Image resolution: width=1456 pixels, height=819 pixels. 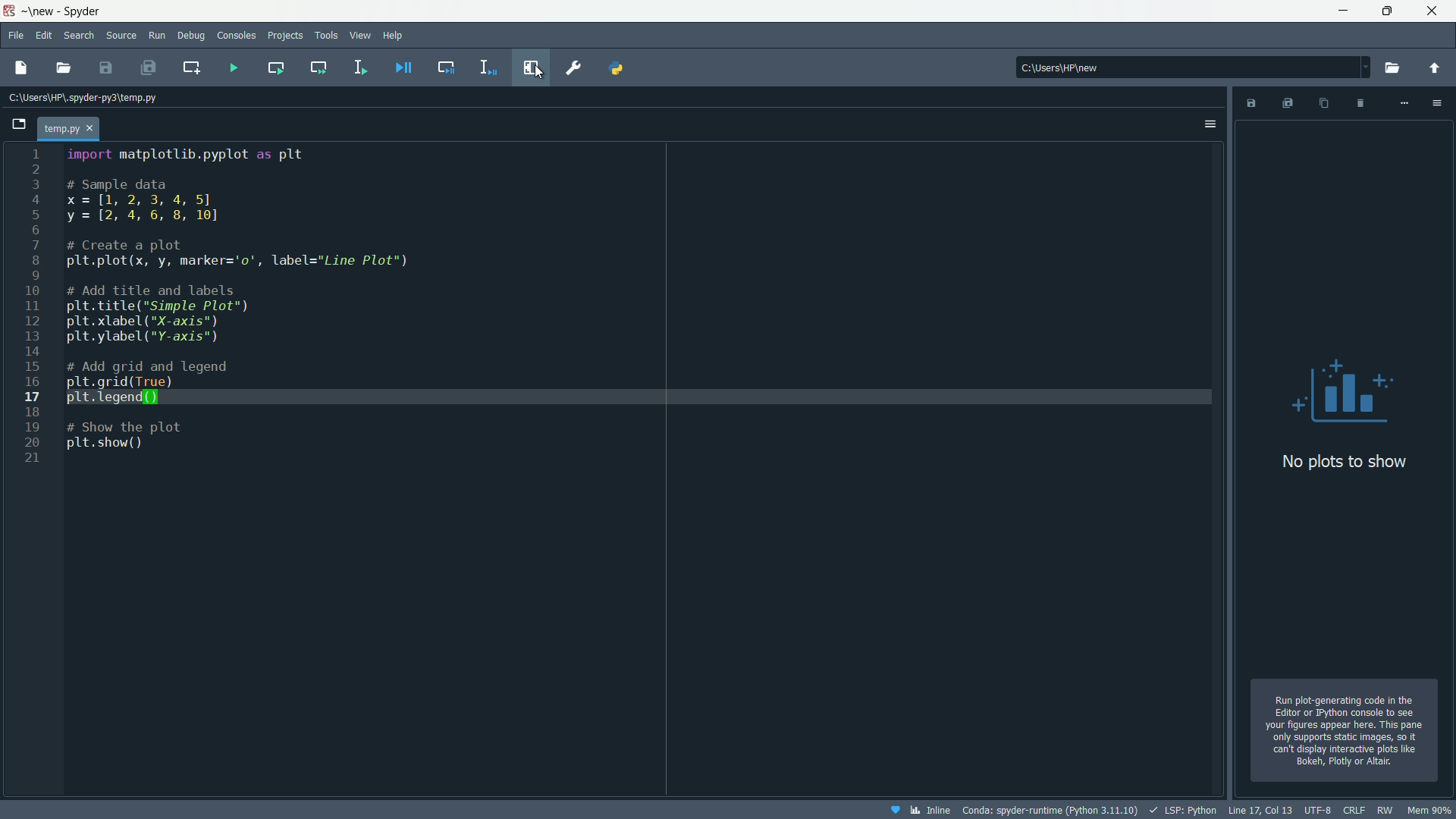 I want to click on debug selection, so click(x=486, y=67).